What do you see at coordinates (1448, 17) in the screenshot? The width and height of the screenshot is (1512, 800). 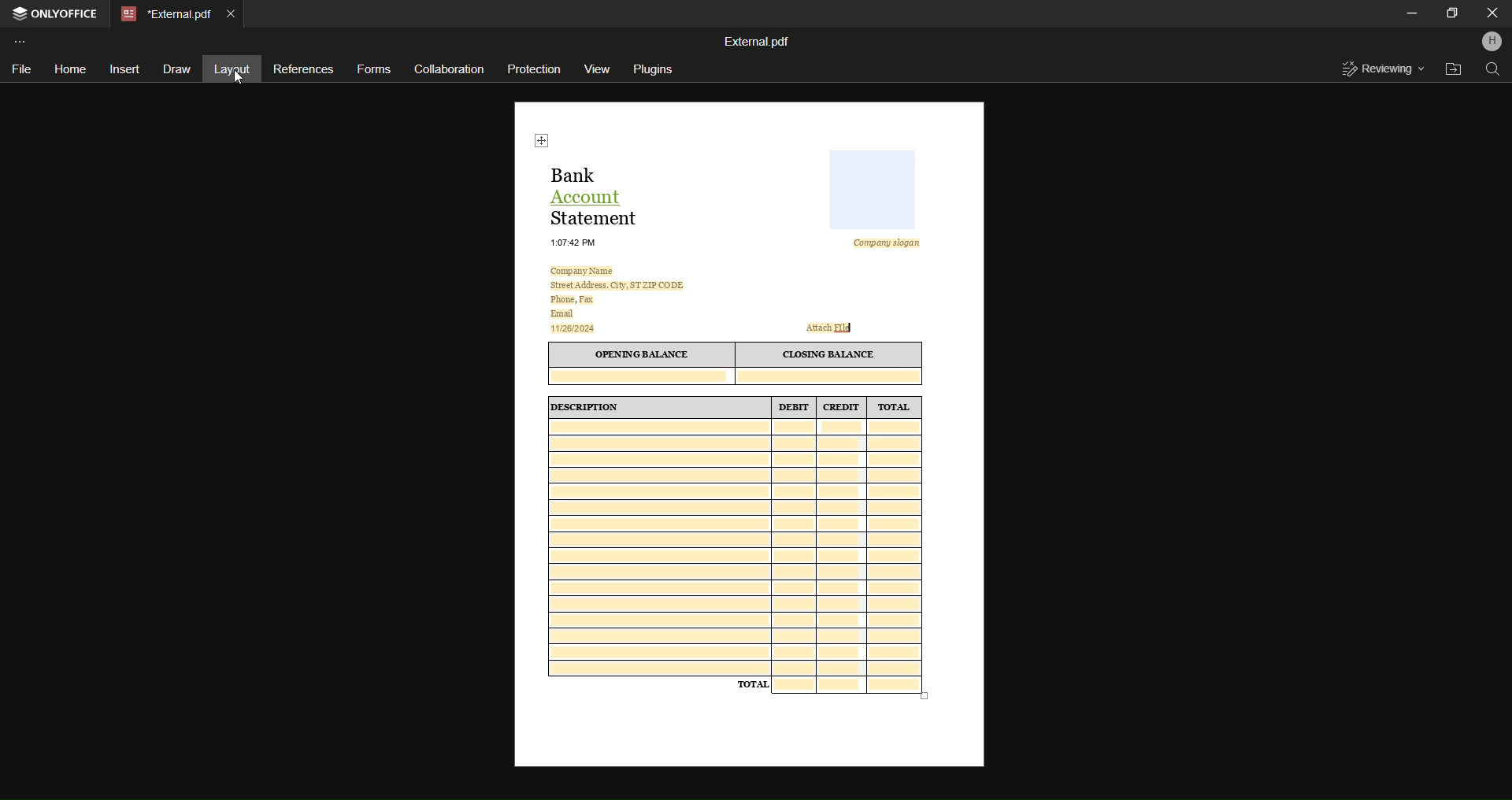 I see `Maximize` at bounding box center [1448, 17].